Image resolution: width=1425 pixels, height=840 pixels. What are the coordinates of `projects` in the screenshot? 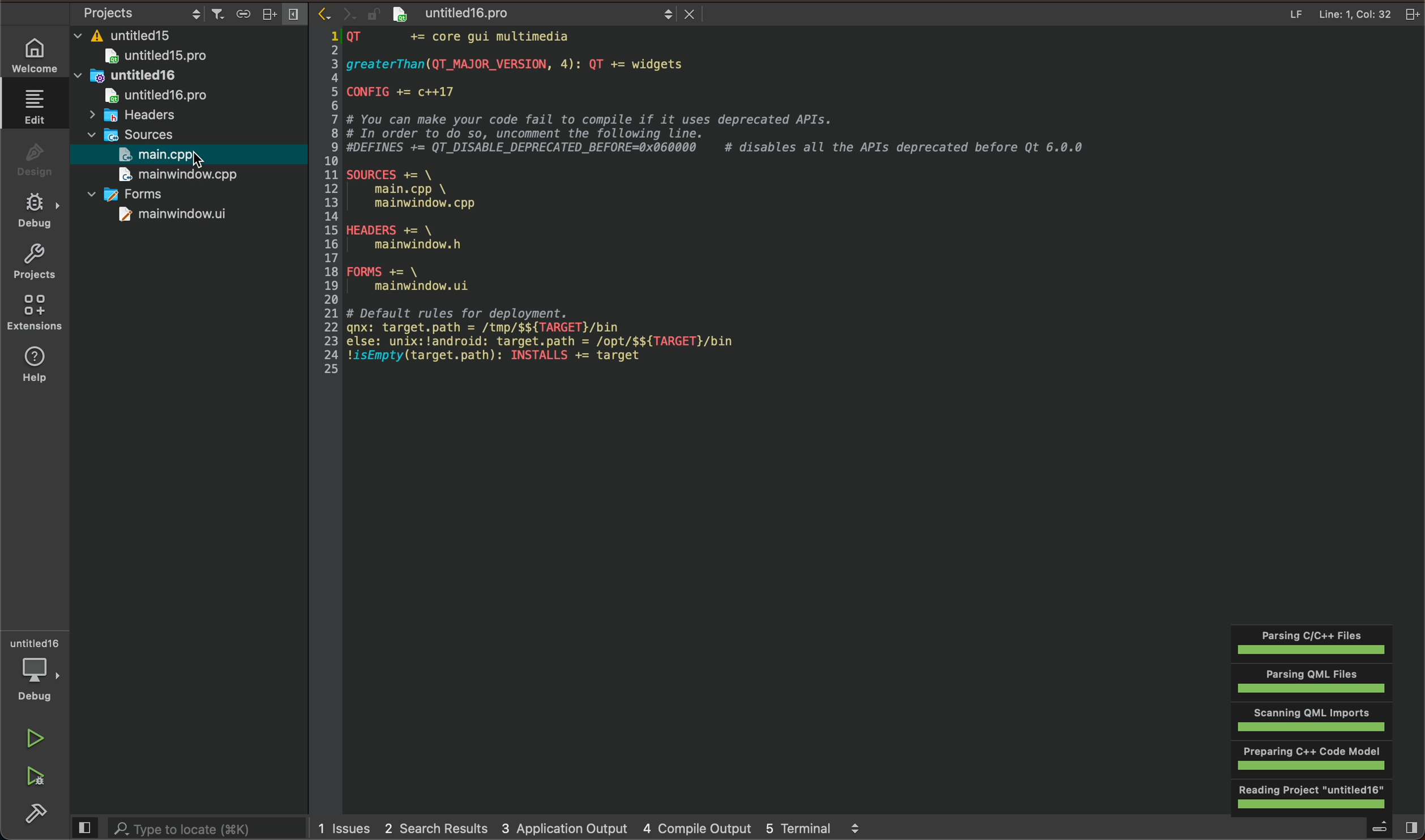 It's located at (40, 265).